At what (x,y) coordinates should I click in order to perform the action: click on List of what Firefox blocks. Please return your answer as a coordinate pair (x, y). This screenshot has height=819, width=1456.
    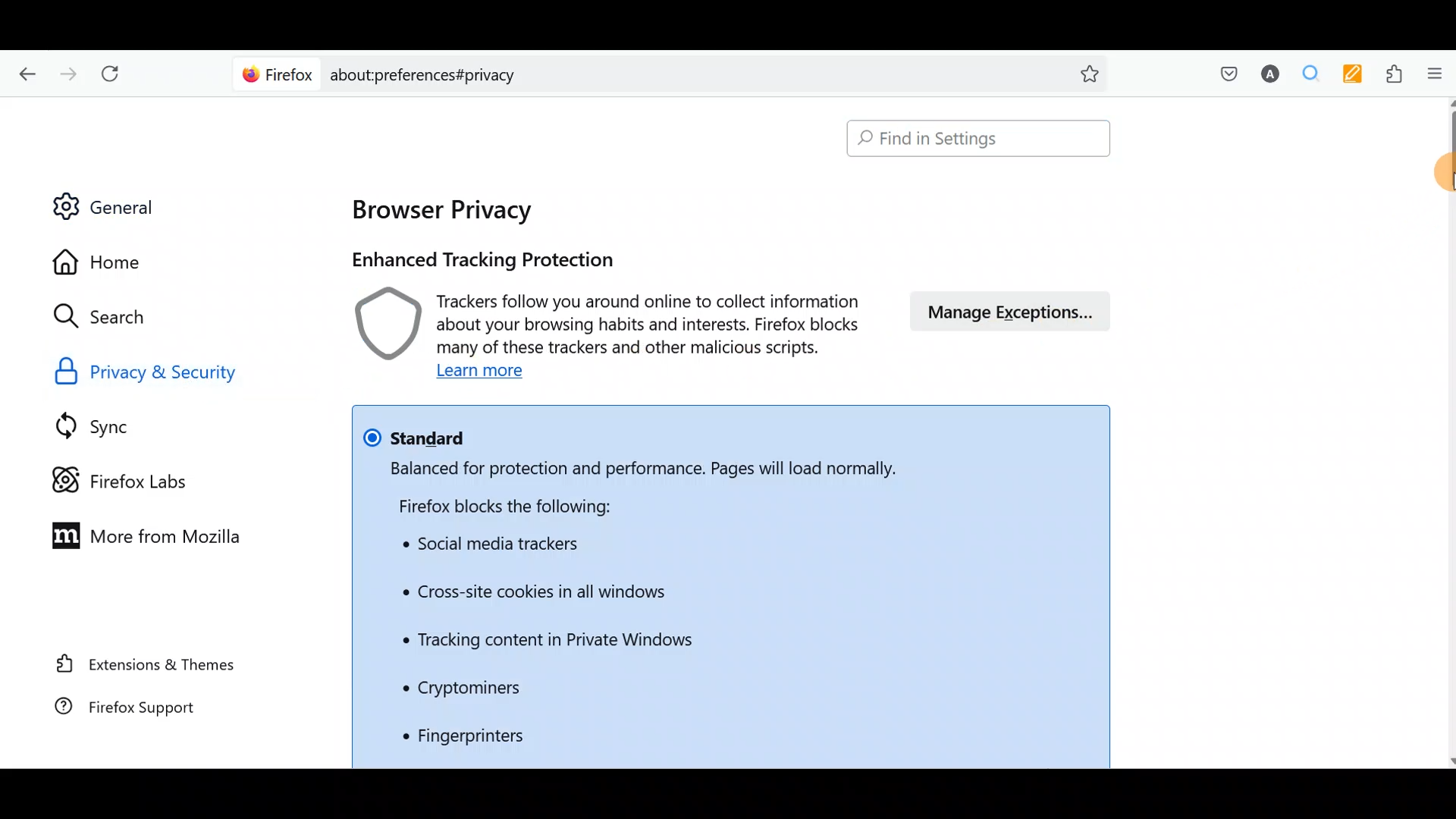
    Looking at the image, I should click on (731, 587).